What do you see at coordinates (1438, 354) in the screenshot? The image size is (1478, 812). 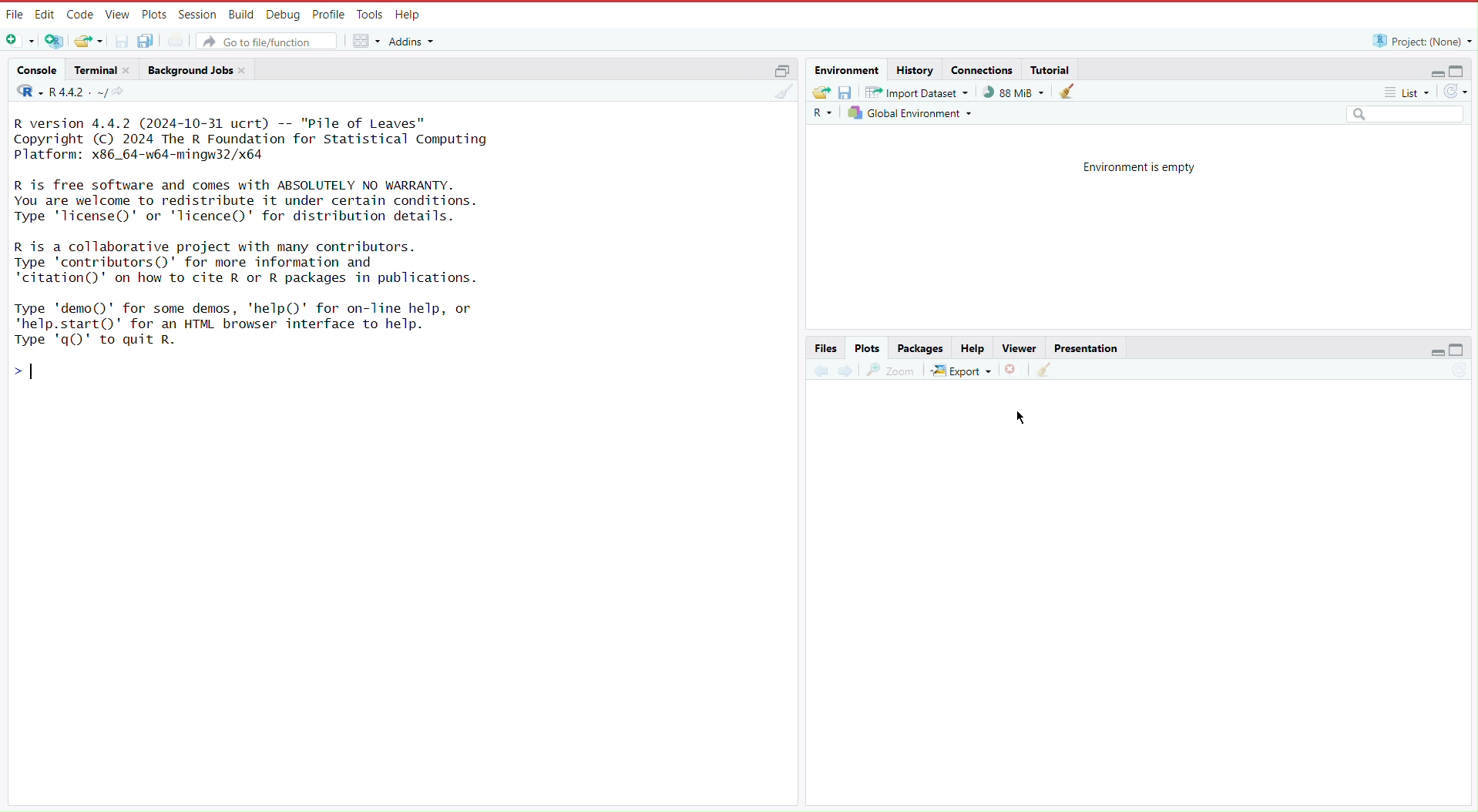 I see `Minimize` at bounding box center [1438, 354].